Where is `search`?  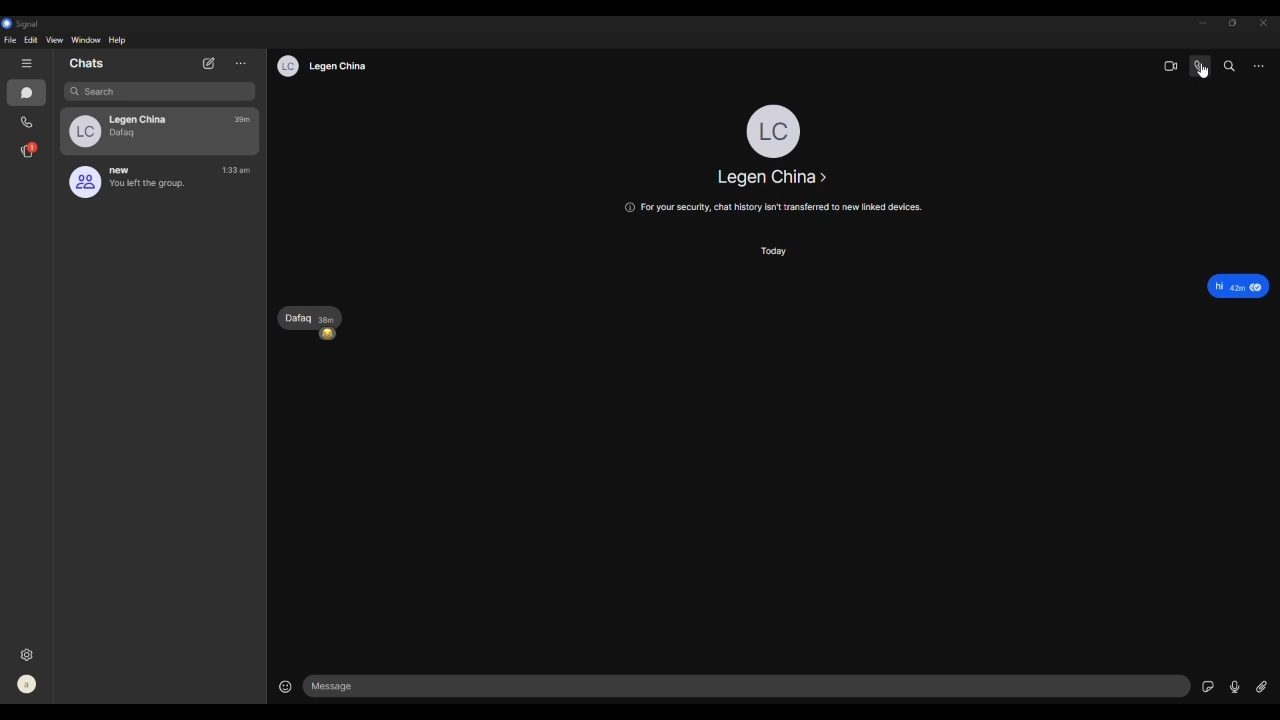 search is located at coordinates (1229, 66).